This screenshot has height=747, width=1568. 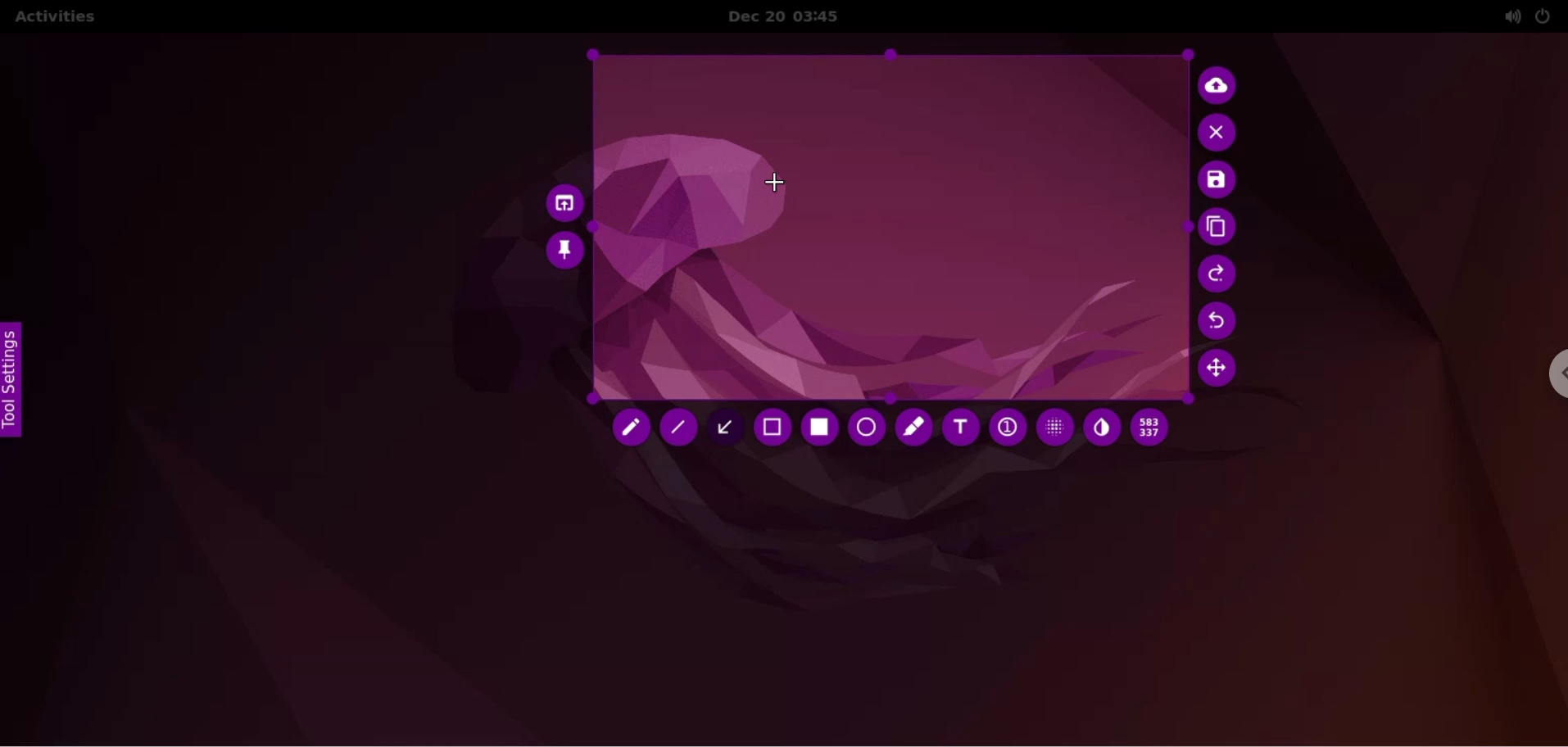 I want to click on redo, so click(x=1220, y=274).